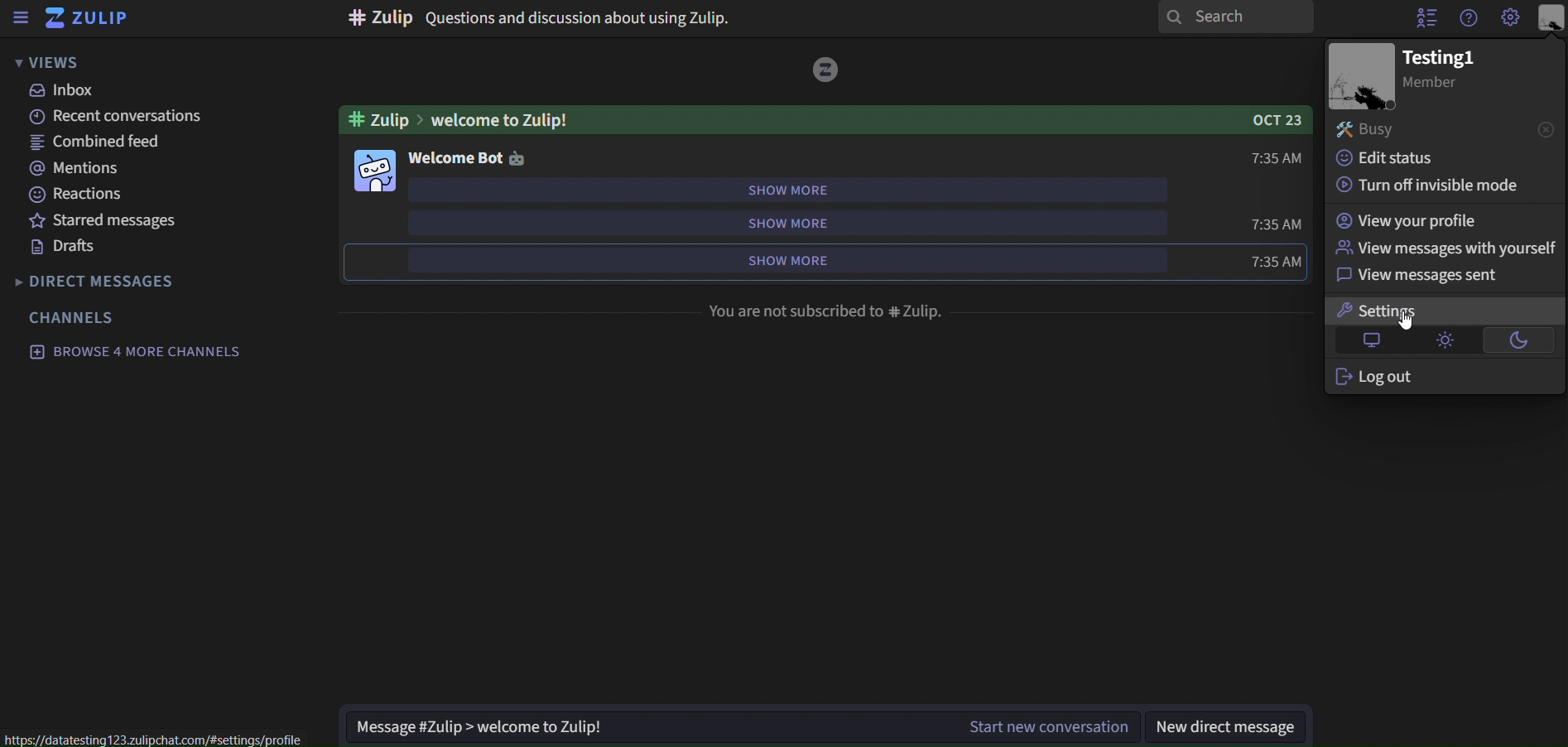  I want to click on #zulip Questions and discussion about using zulip., so click(544, 17).